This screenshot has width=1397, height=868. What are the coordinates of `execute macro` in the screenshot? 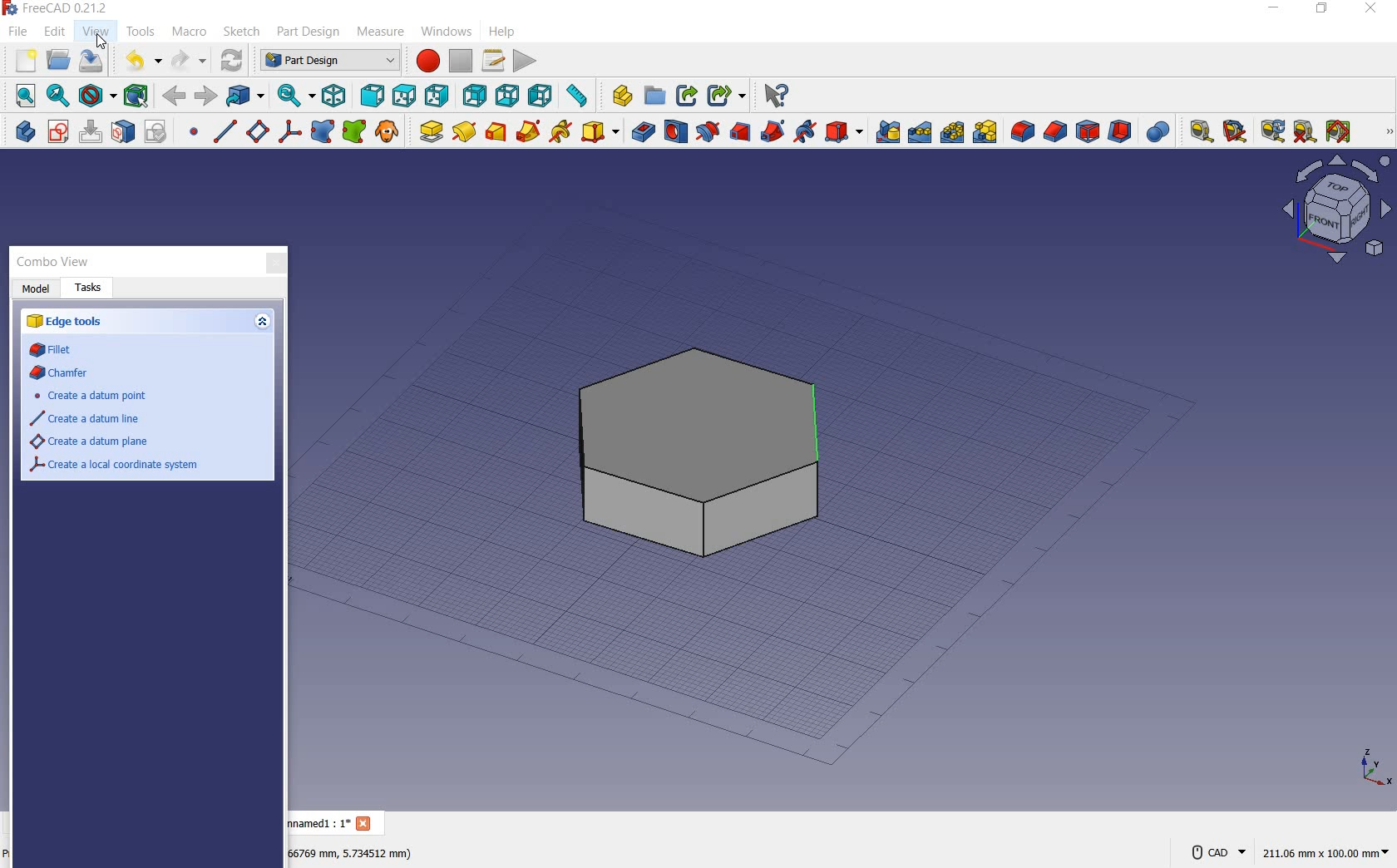 It's located at (526, 62).